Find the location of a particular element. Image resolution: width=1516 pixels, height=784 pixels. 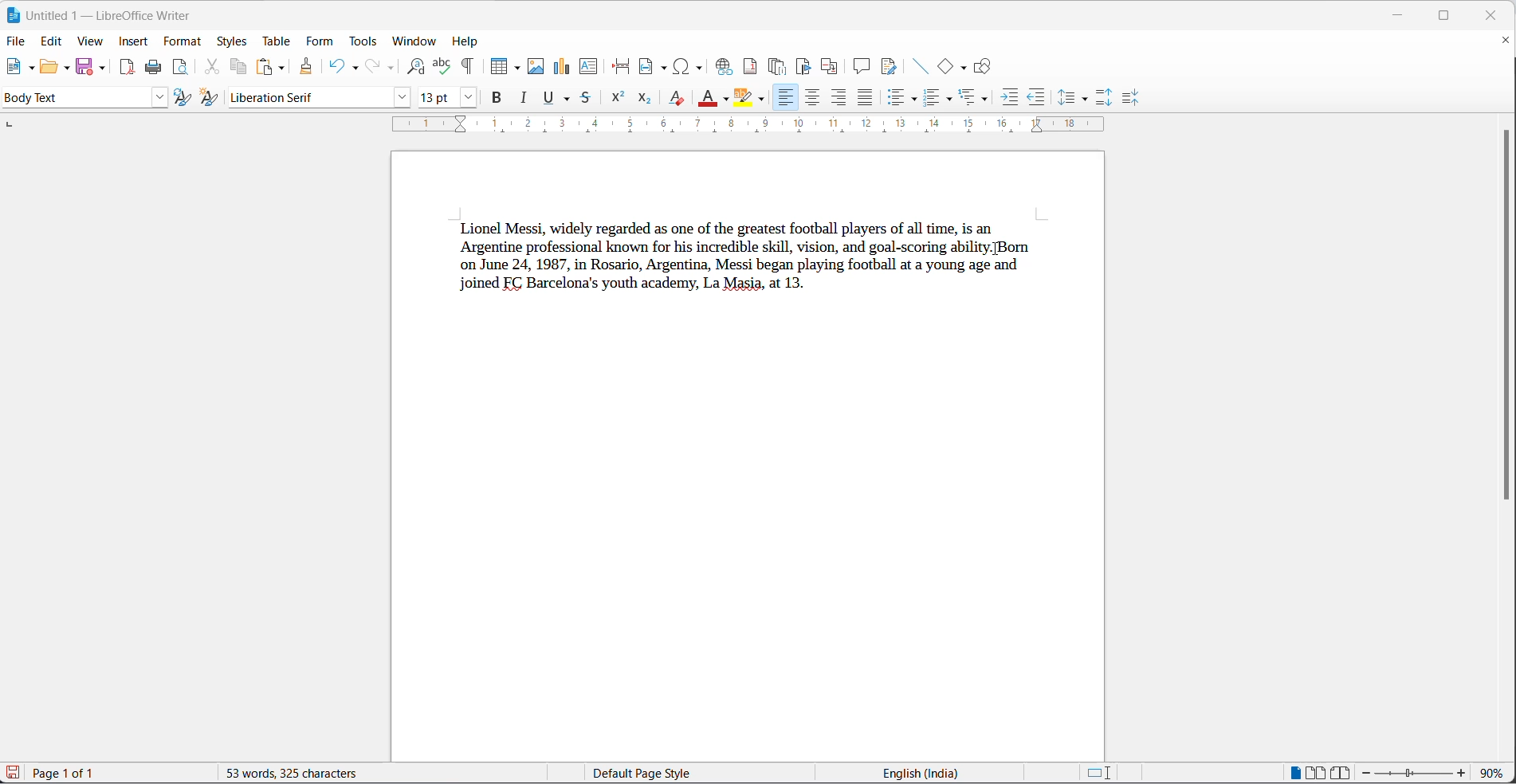

insert hyperlink is located at coordinates (722, 67).